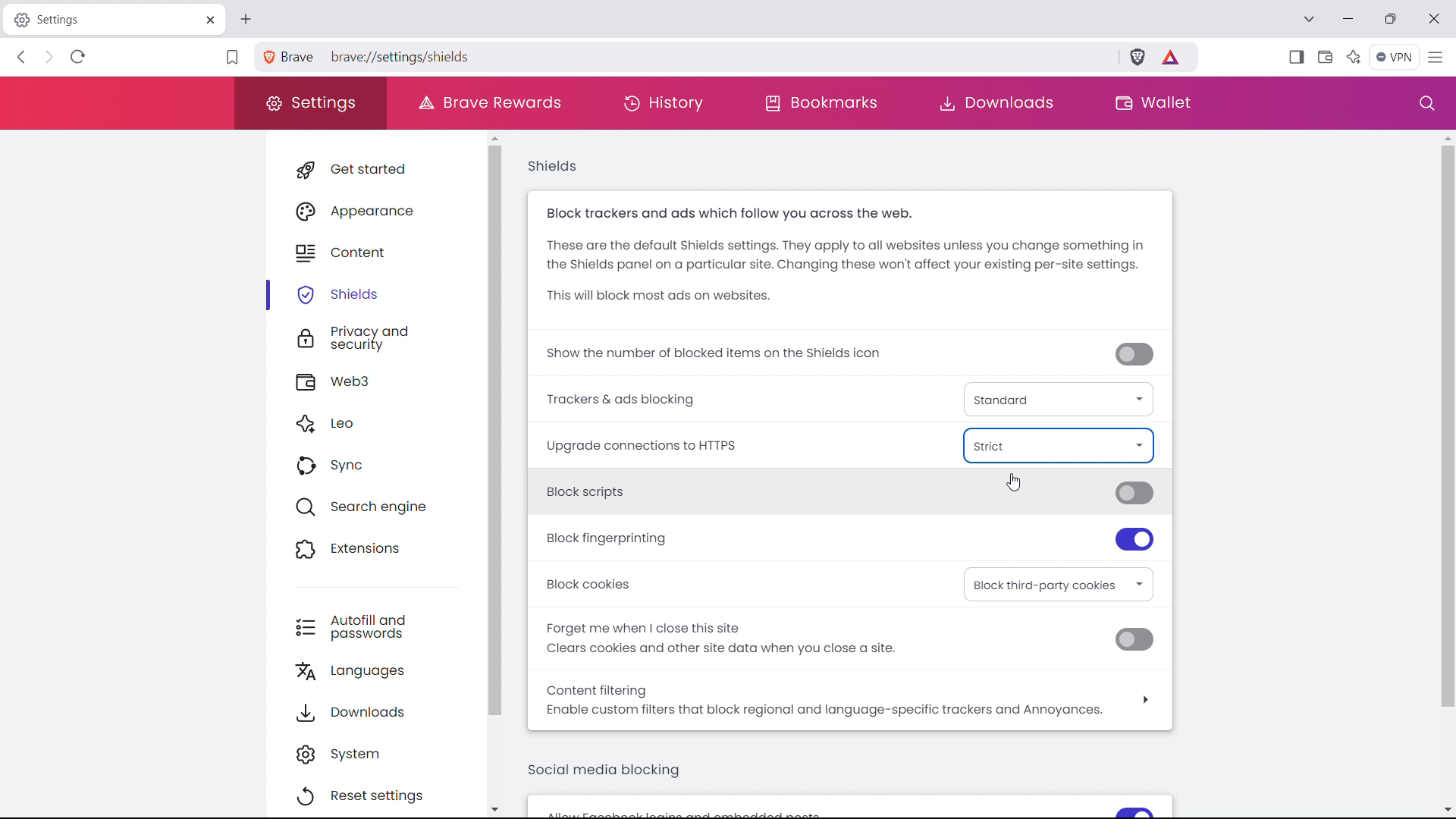 The height and width of the screenshot is (819, 1456). Describe the element at coordinates (594, 493) in the screenshot. I see `block scripts` at that location.